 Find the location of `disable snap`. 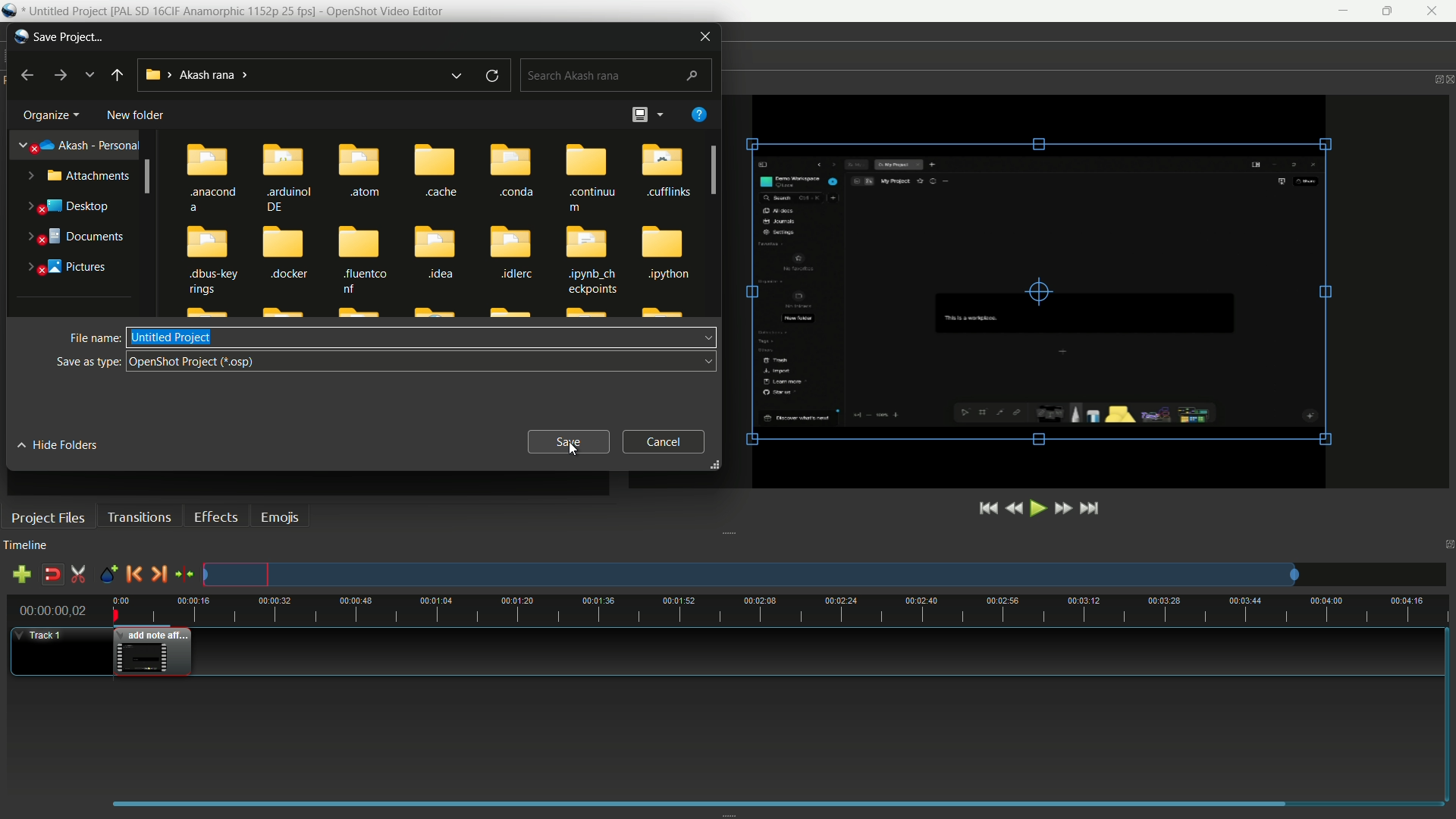

disable snap is located at coordinates (51, 575).